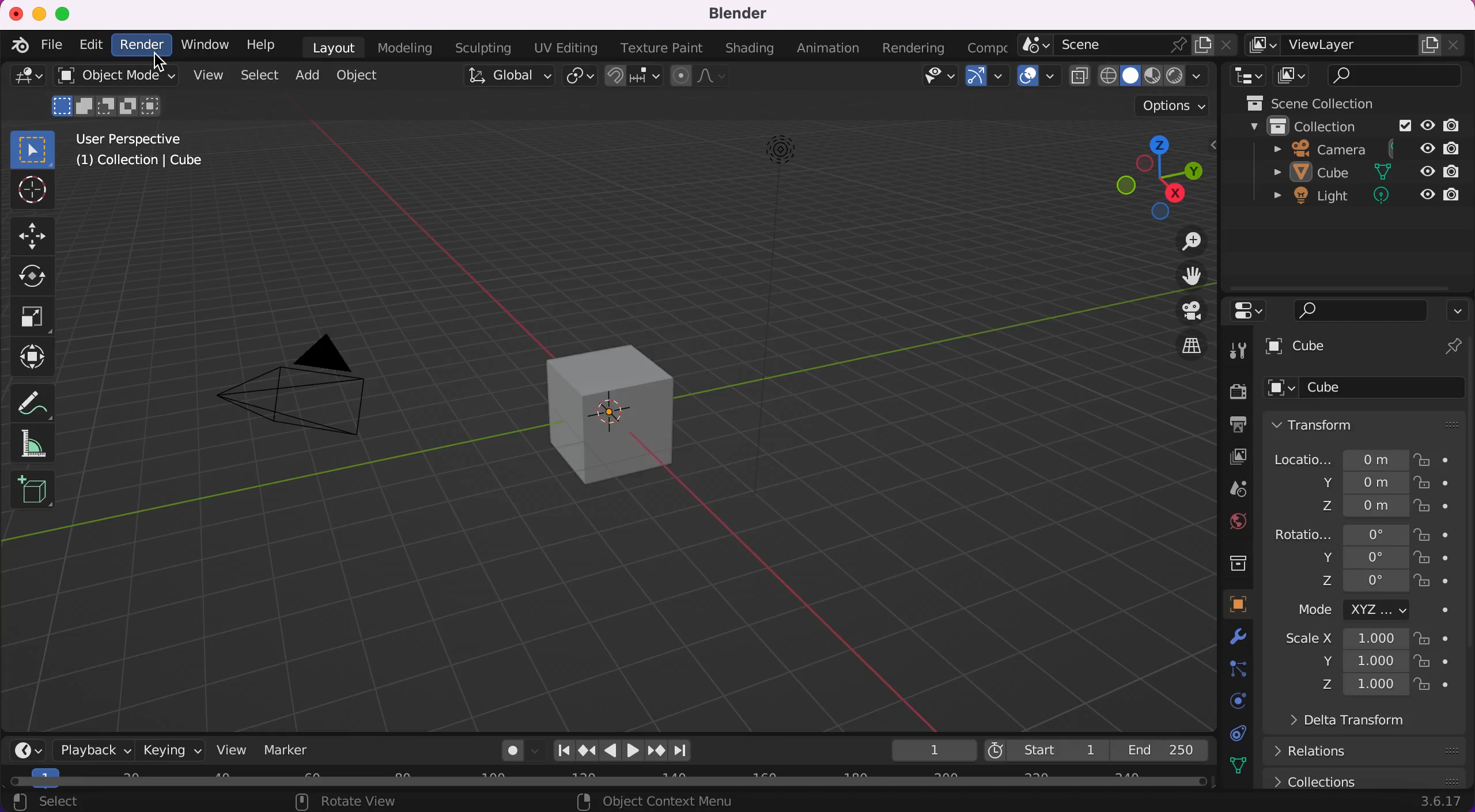  I want to click on user perspective (1) collection | cube, so click(143, 153).